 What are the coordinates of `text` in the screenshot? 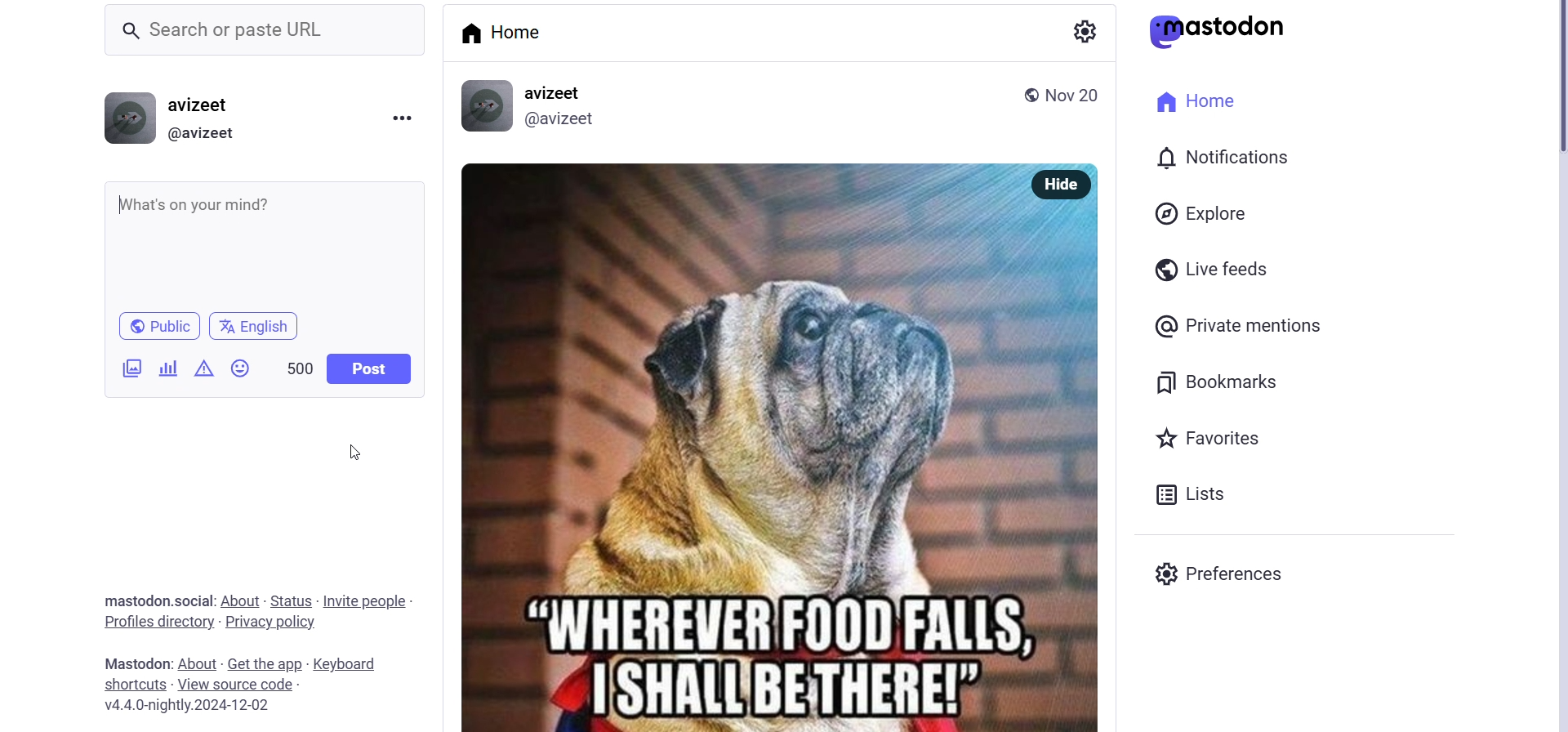 It's located at (126, 663).